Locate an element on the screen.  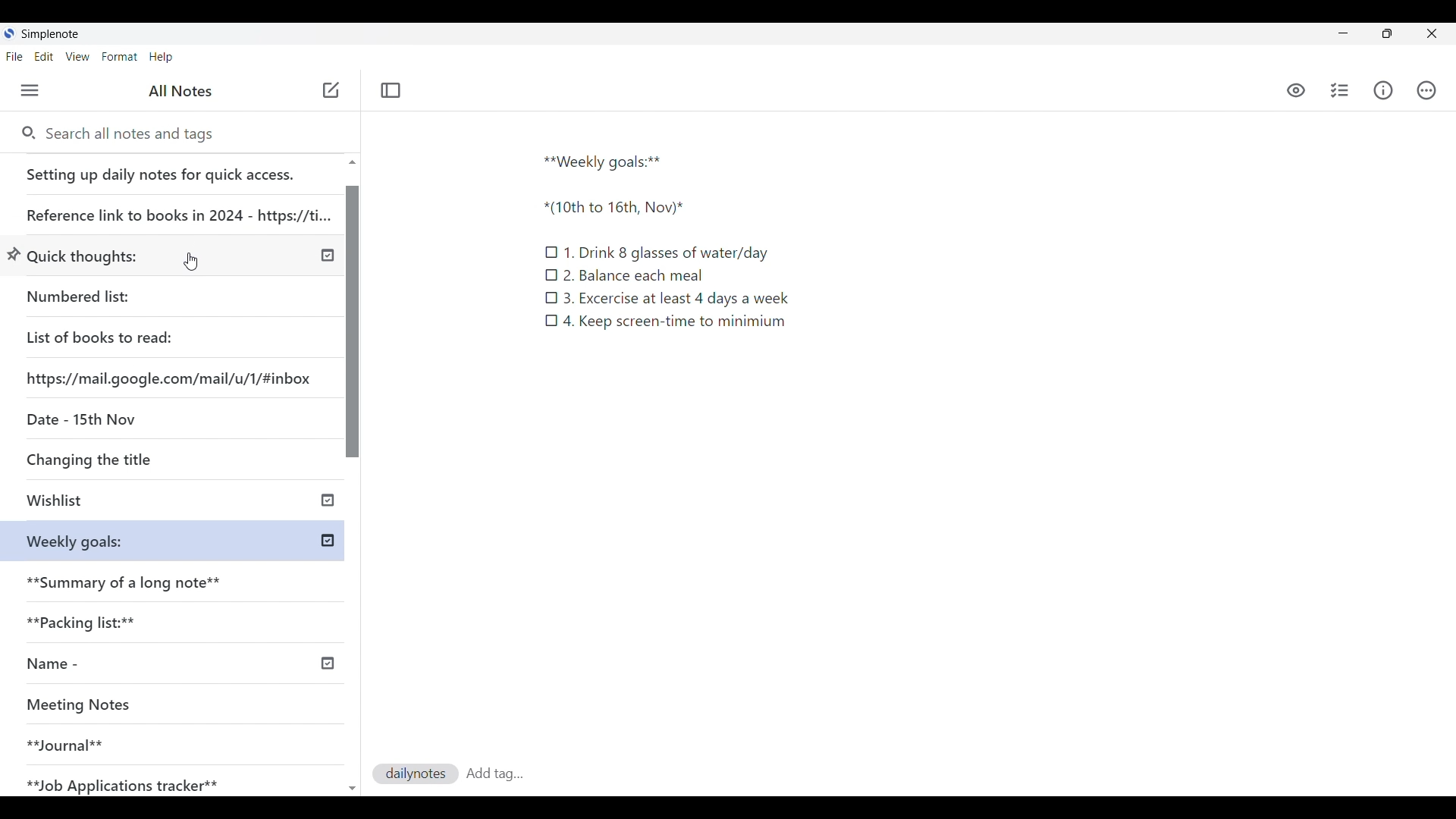
Actions is located at coordinates (1425, 89).